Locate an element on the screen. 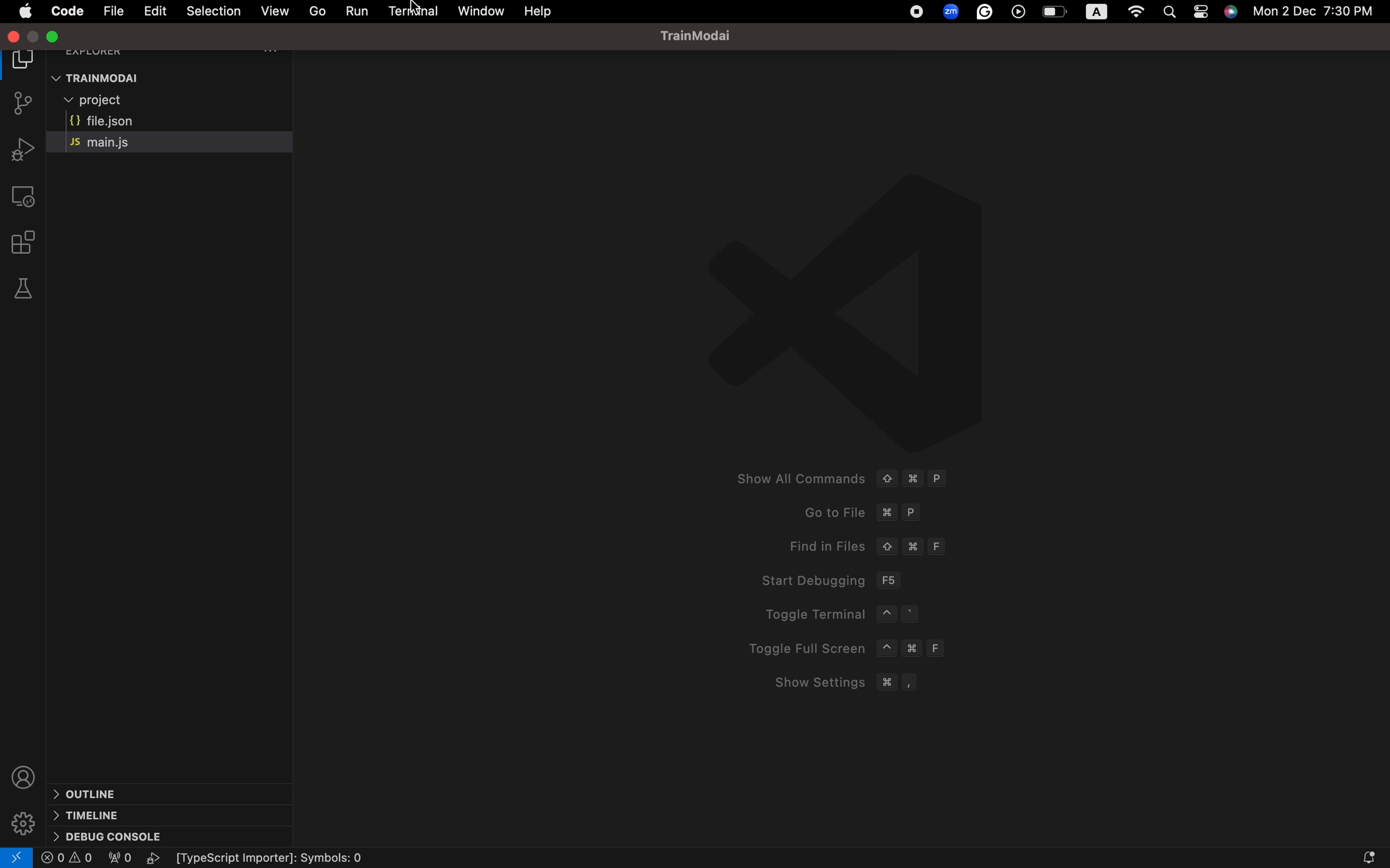  copy is located at coordinates (25, 63).